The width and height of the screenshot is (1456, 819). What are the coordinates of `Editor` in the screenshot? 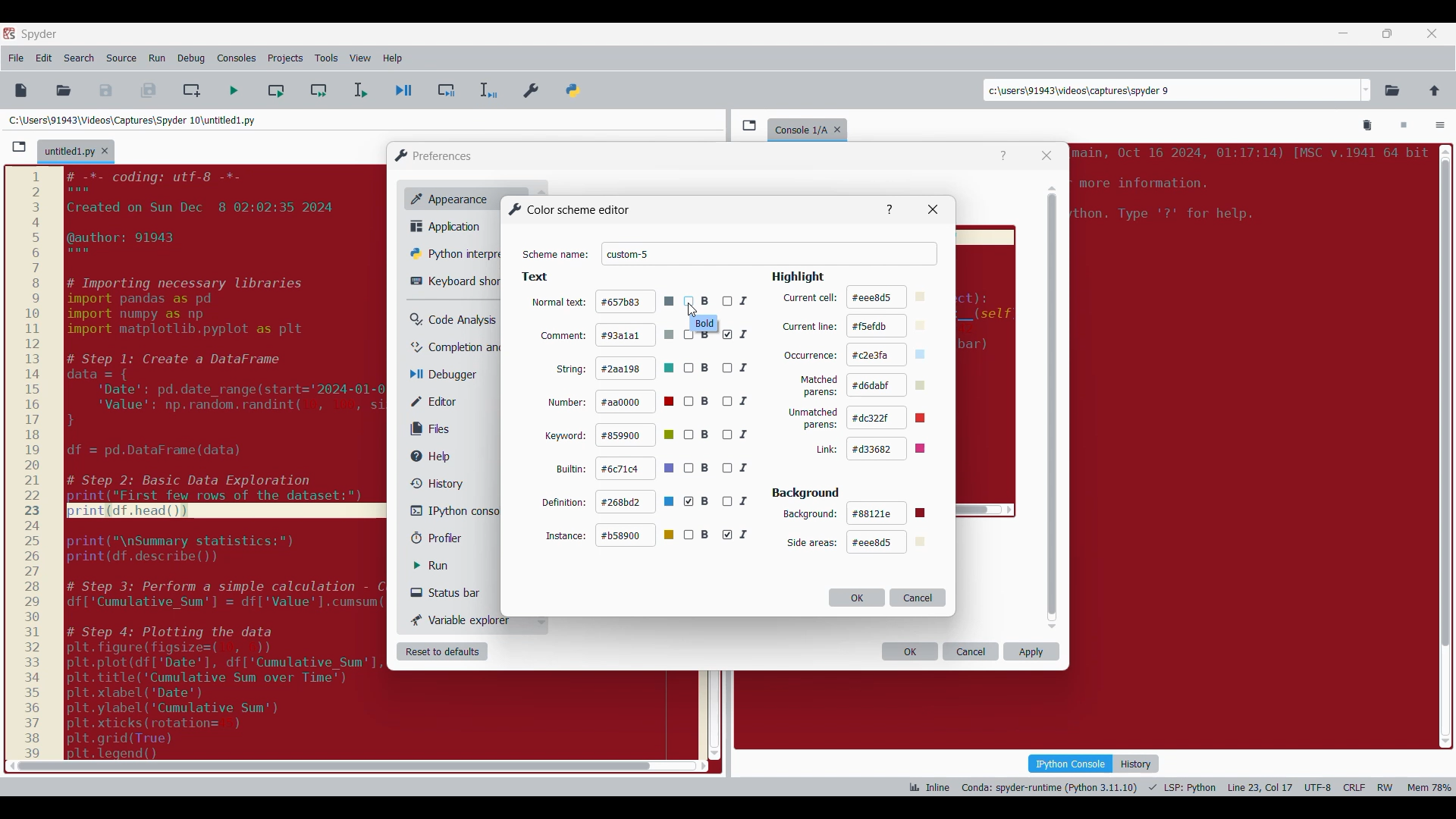 It's located at (444, 401).